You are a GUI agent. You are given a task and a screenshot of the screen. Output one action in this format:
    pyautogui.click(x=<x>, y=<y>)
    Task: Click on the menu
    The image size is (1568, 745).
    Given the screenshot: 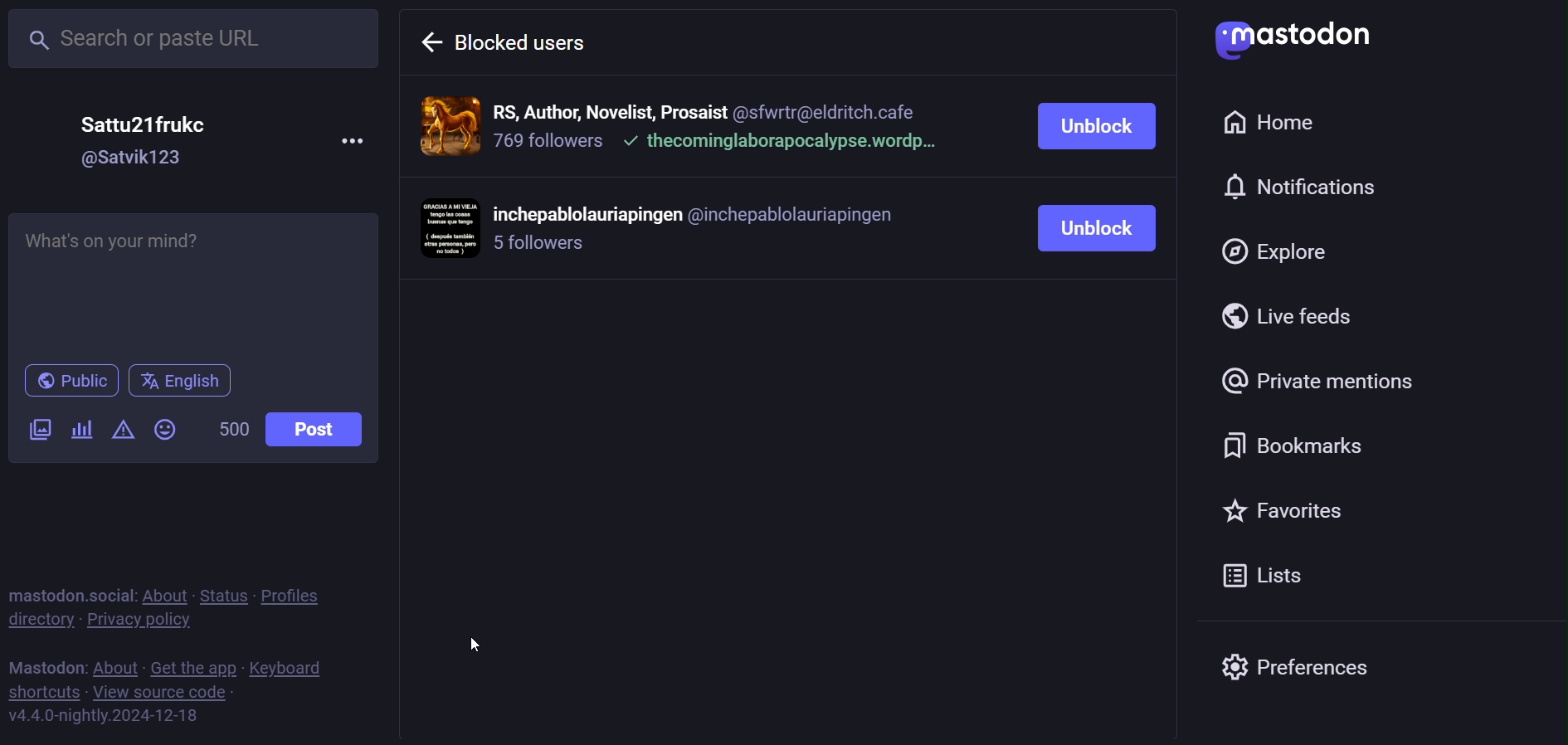 What is the action you would take?
    pyautogui.click(x=353, y=134)
    